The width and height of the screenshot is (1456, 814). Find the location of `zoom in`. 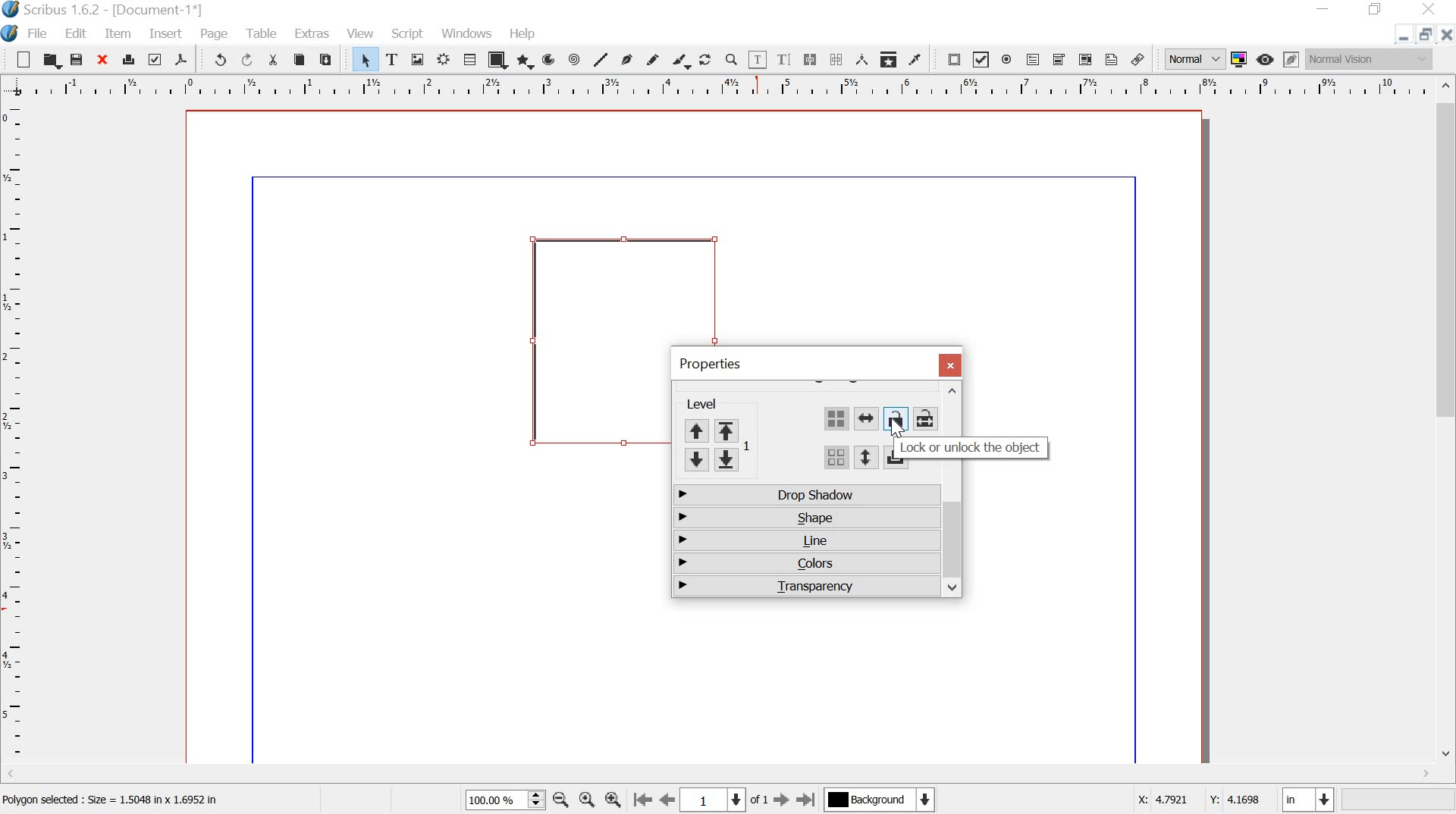

zoom in is located at coordinates (614, 798).